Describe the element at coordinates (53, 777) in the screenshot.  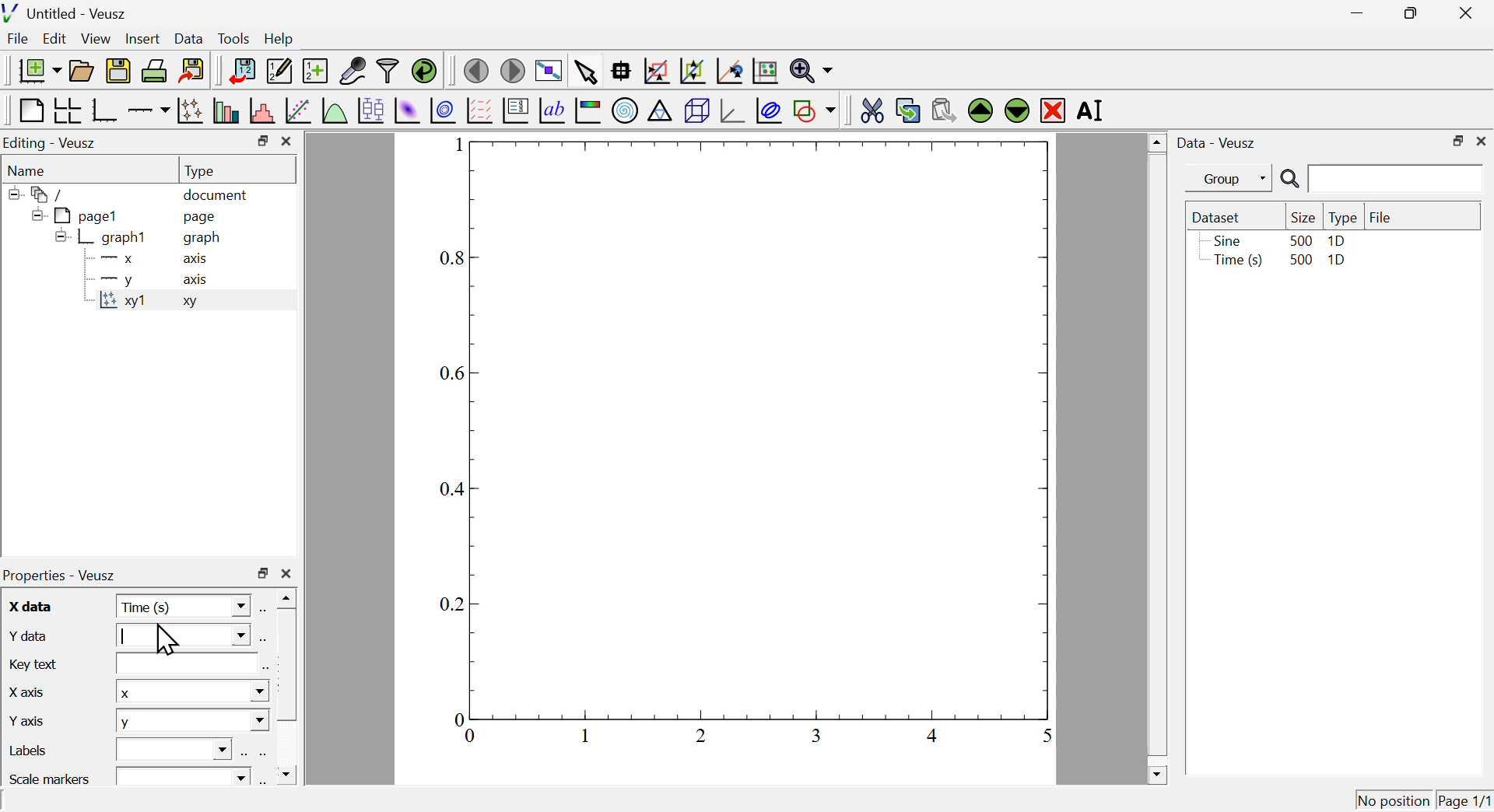
I see `scale markers` at that location.